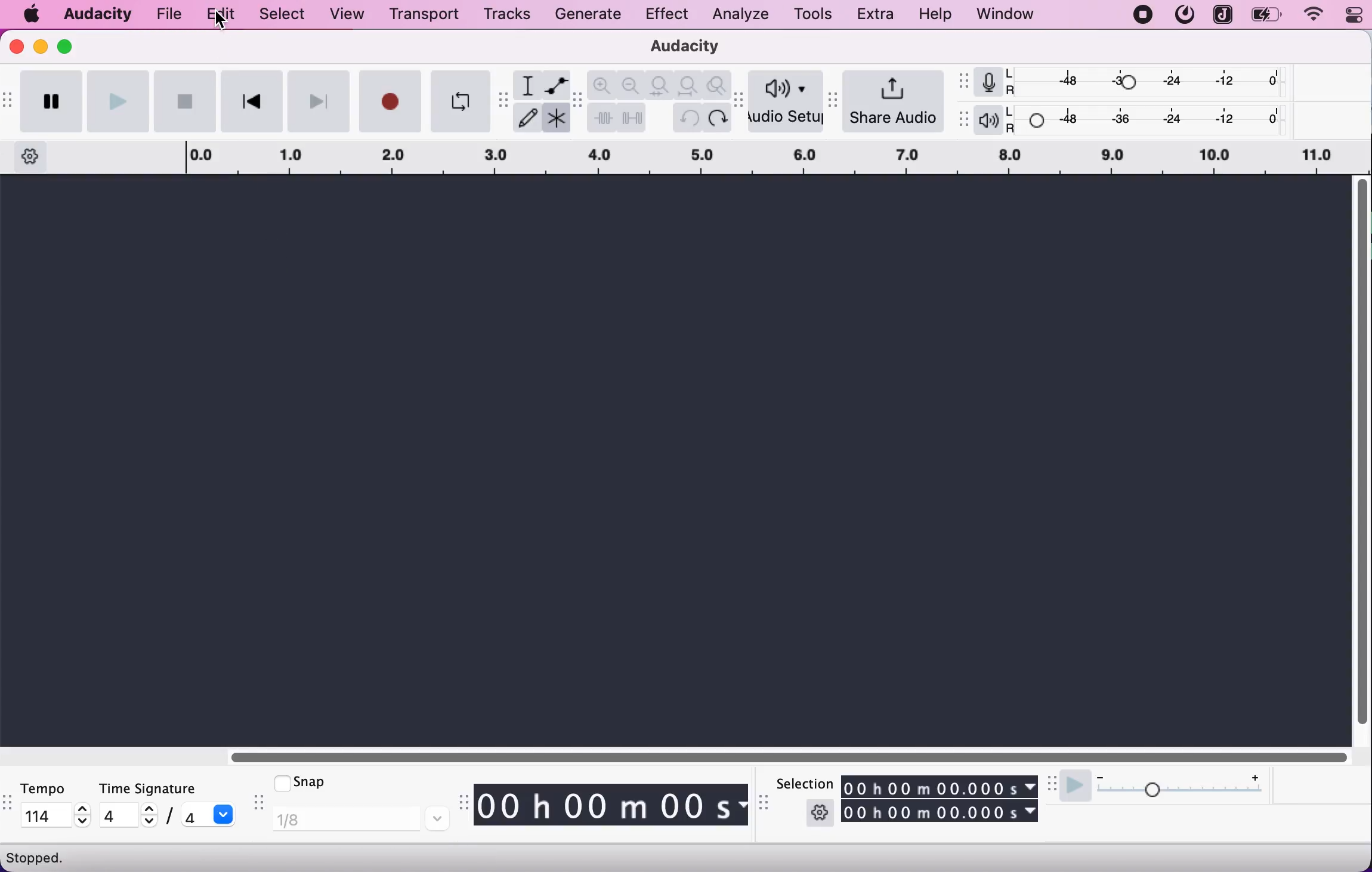 Image resolution: width=1372 pixels, height=872 pixels. I want to click on zoom in, so click(603, 85).